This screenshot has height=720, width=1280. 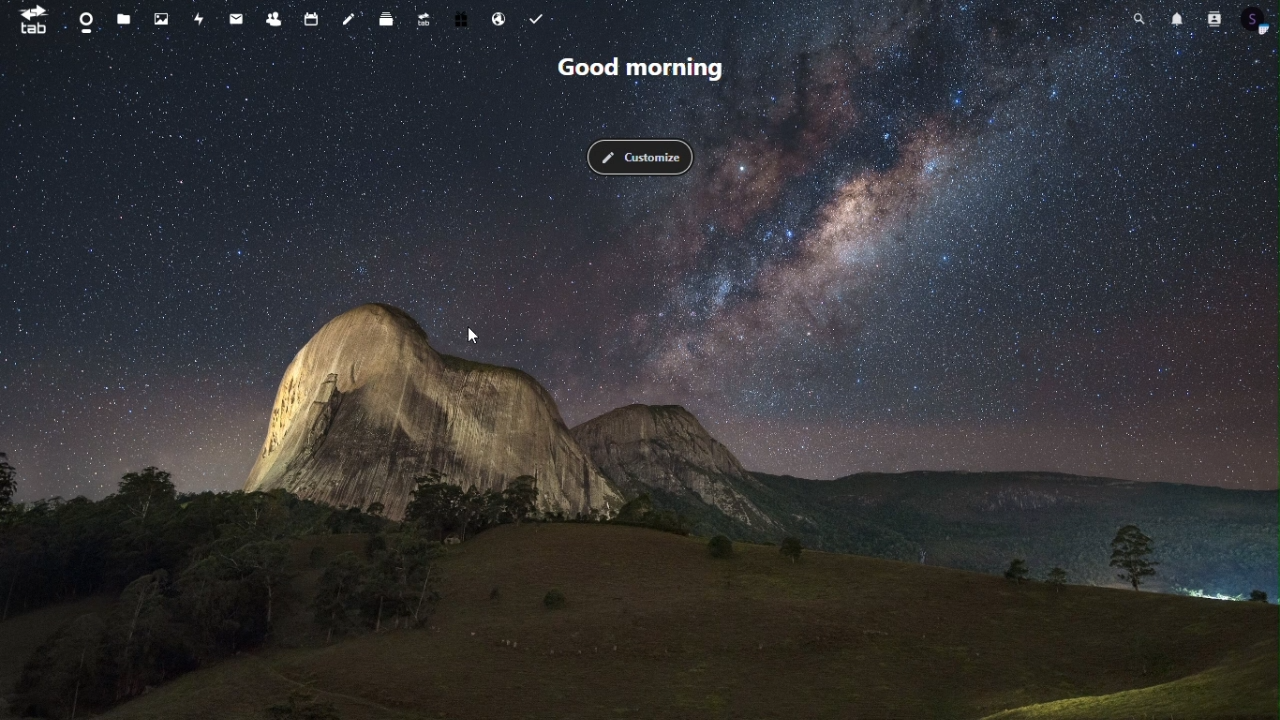 What do you see at coordinates (1256, 21) in the screenshot?
I see `profile` at bounding box center [1256, 21].